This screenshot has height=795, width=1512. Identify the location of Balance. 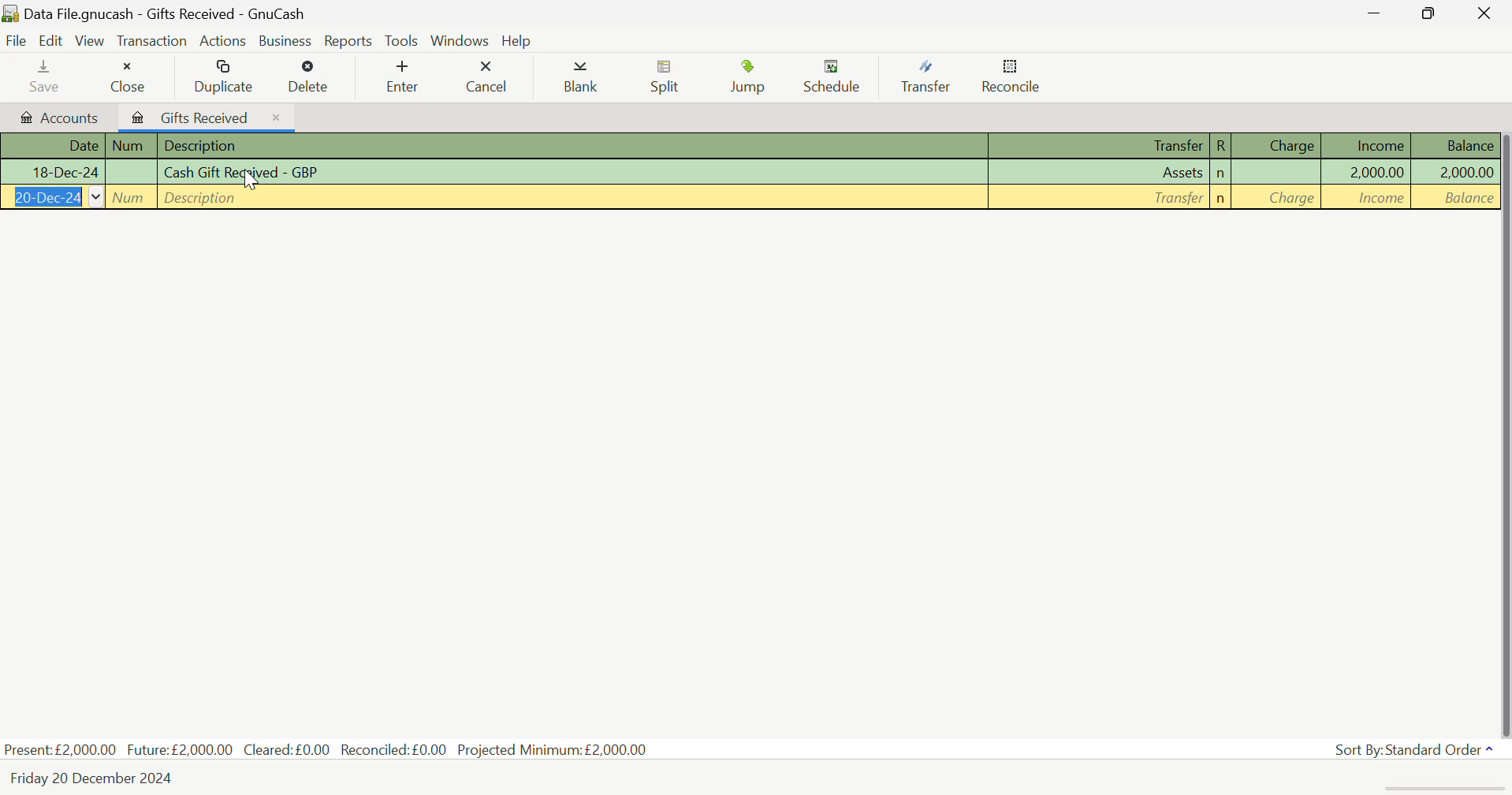
(1455, 171).